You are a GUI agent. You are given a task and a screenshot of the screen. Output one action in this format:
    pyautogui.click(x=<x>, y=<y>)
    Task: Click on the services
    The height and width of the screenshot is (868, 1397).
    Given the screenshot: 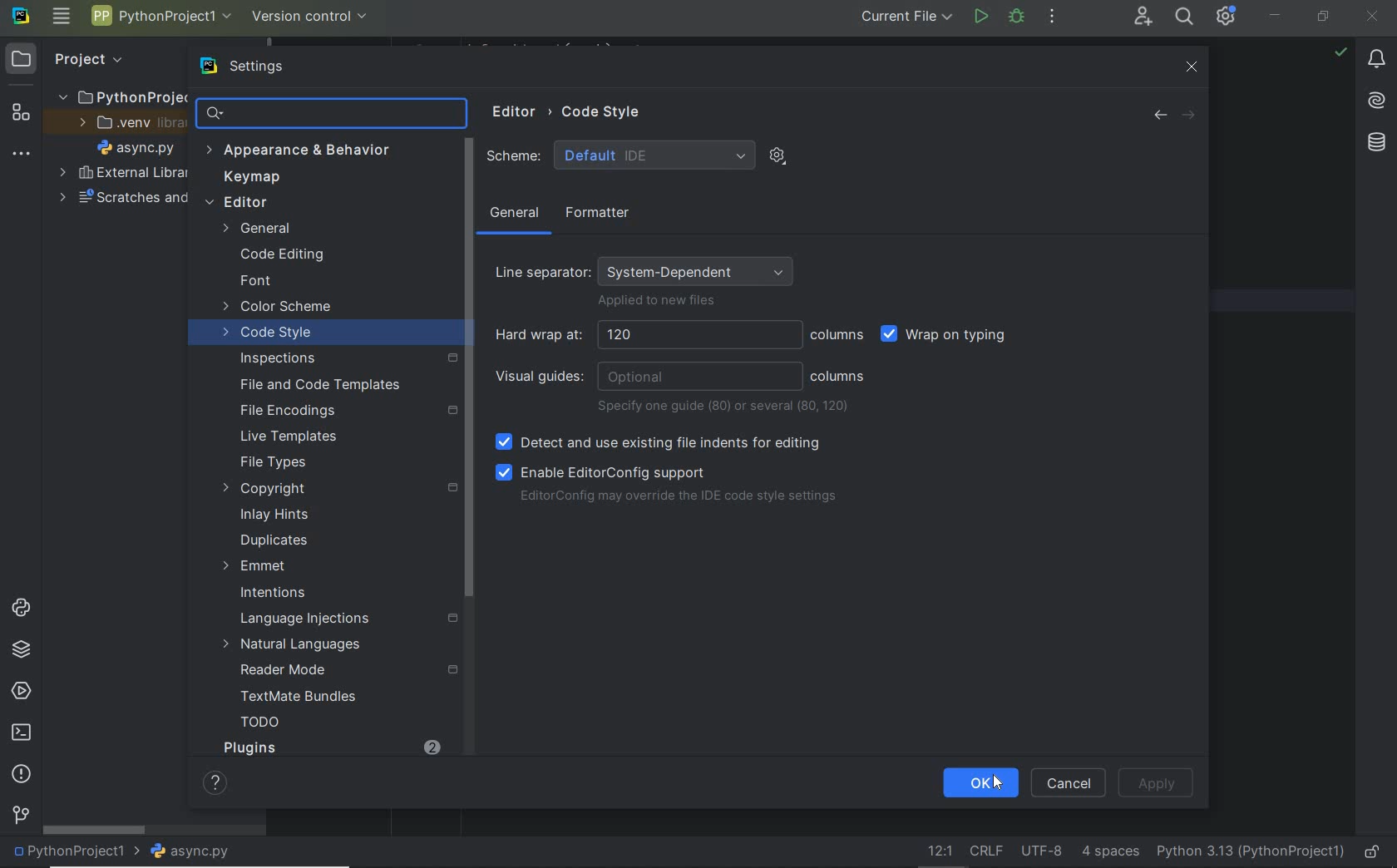 What is the action you would take?
    pyautogui.click(x=20, y=692)
    